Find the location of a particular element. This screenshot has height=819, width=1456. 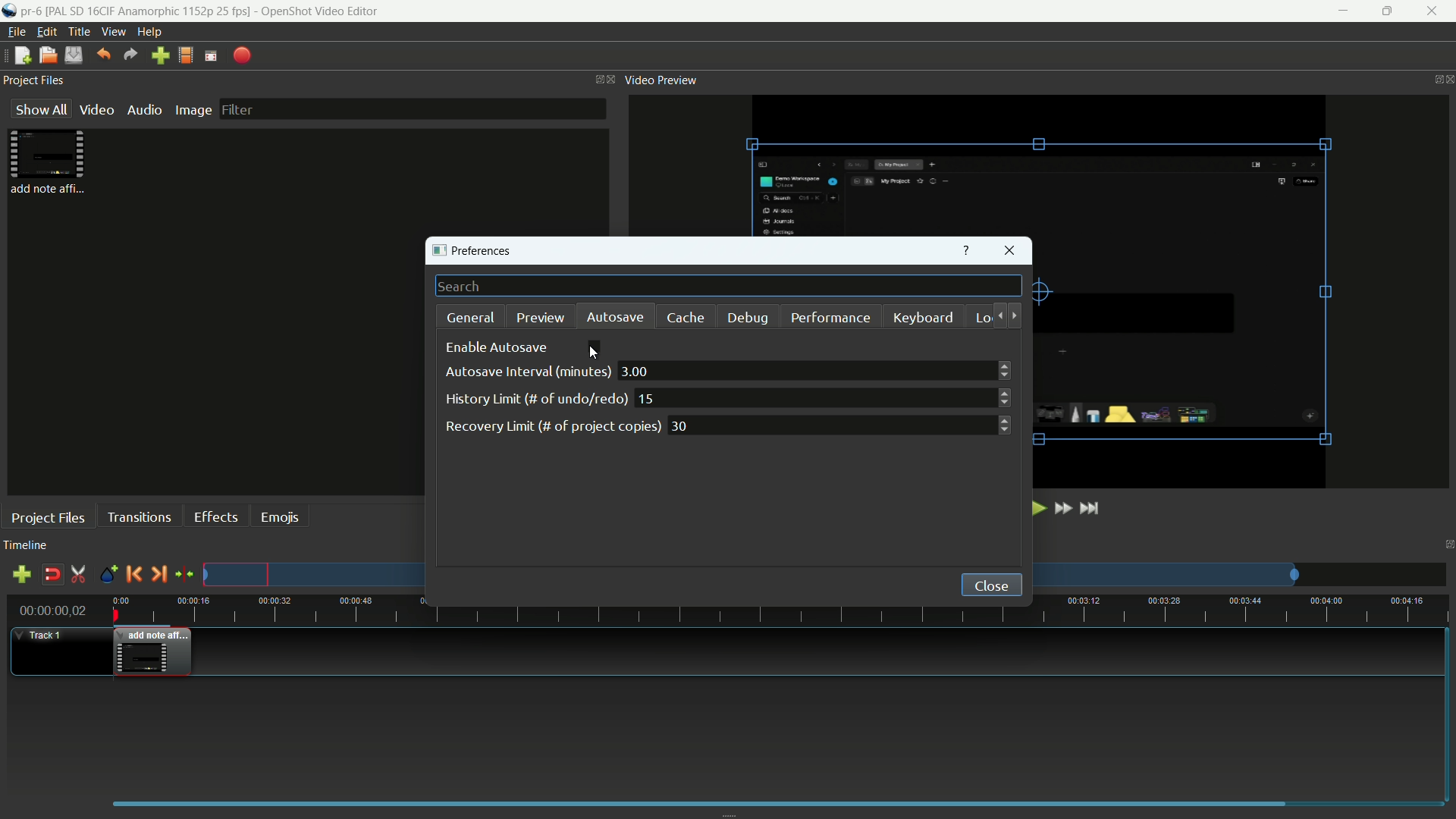

current time is located at coordinates (54, 610).